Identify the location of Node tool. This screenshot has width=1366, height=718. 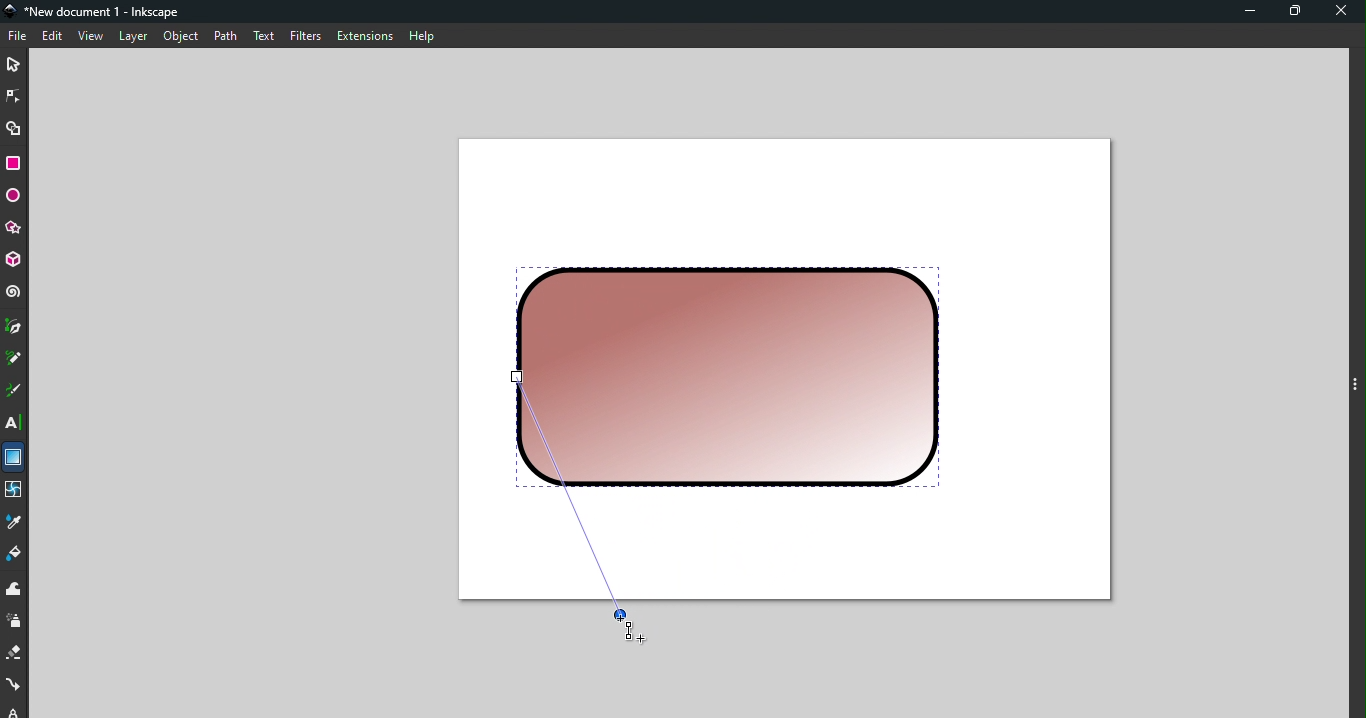
(16, 93).